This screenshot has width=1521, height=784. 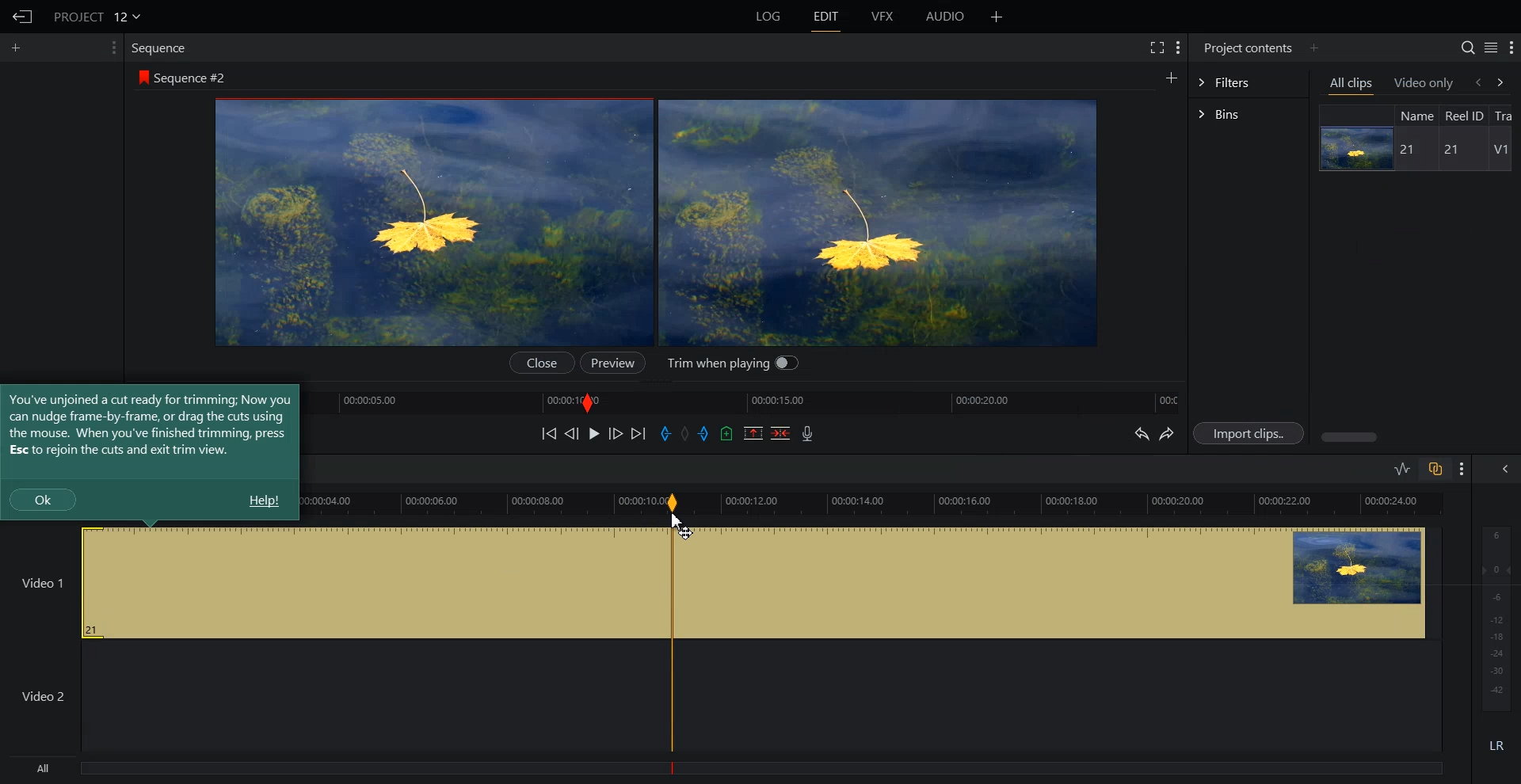 I want to click on Go Back, so click(x=21, y=17).